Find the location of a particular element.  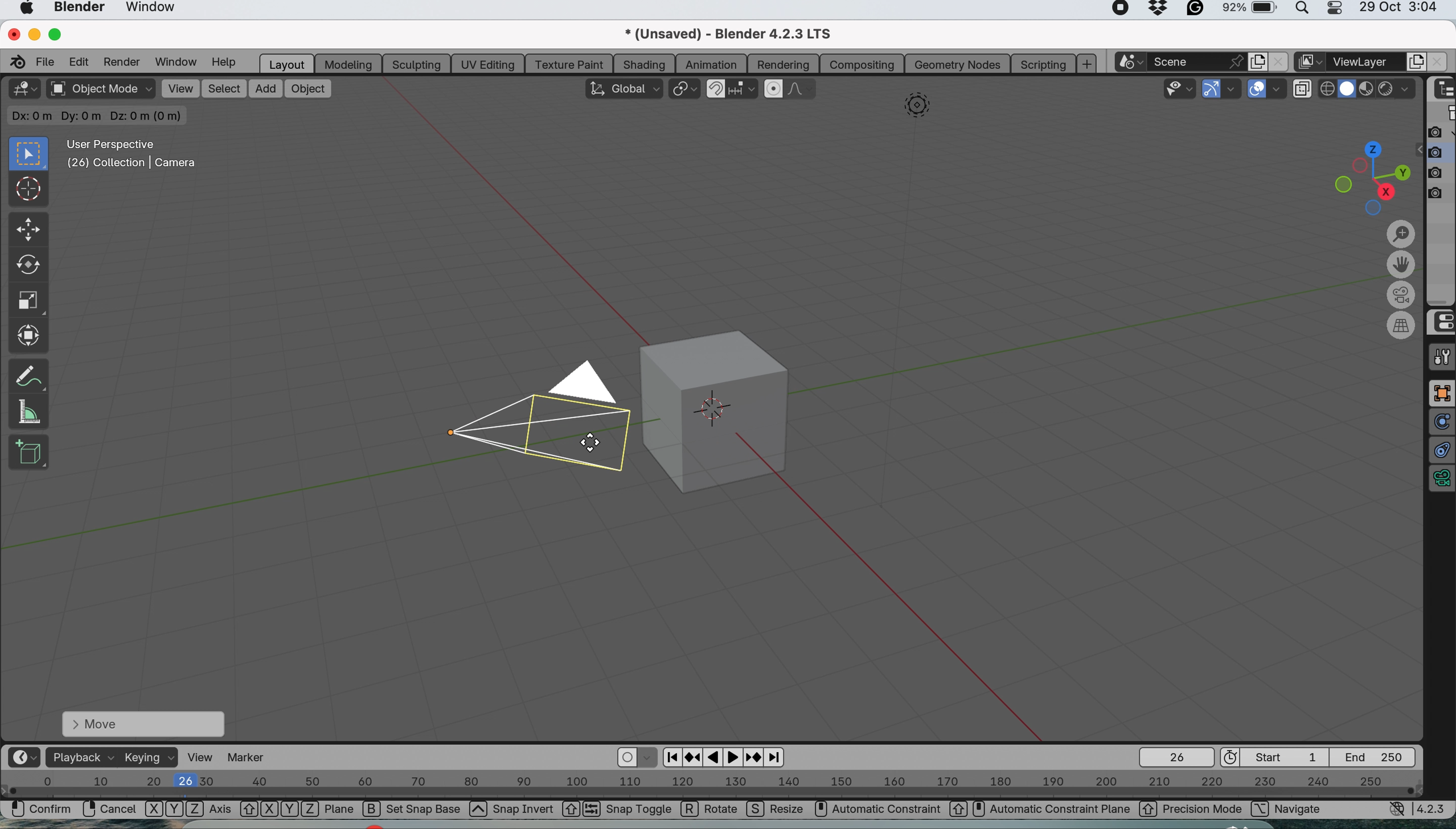

User perspective (26) | Camera is located at coordinates (130, 154).